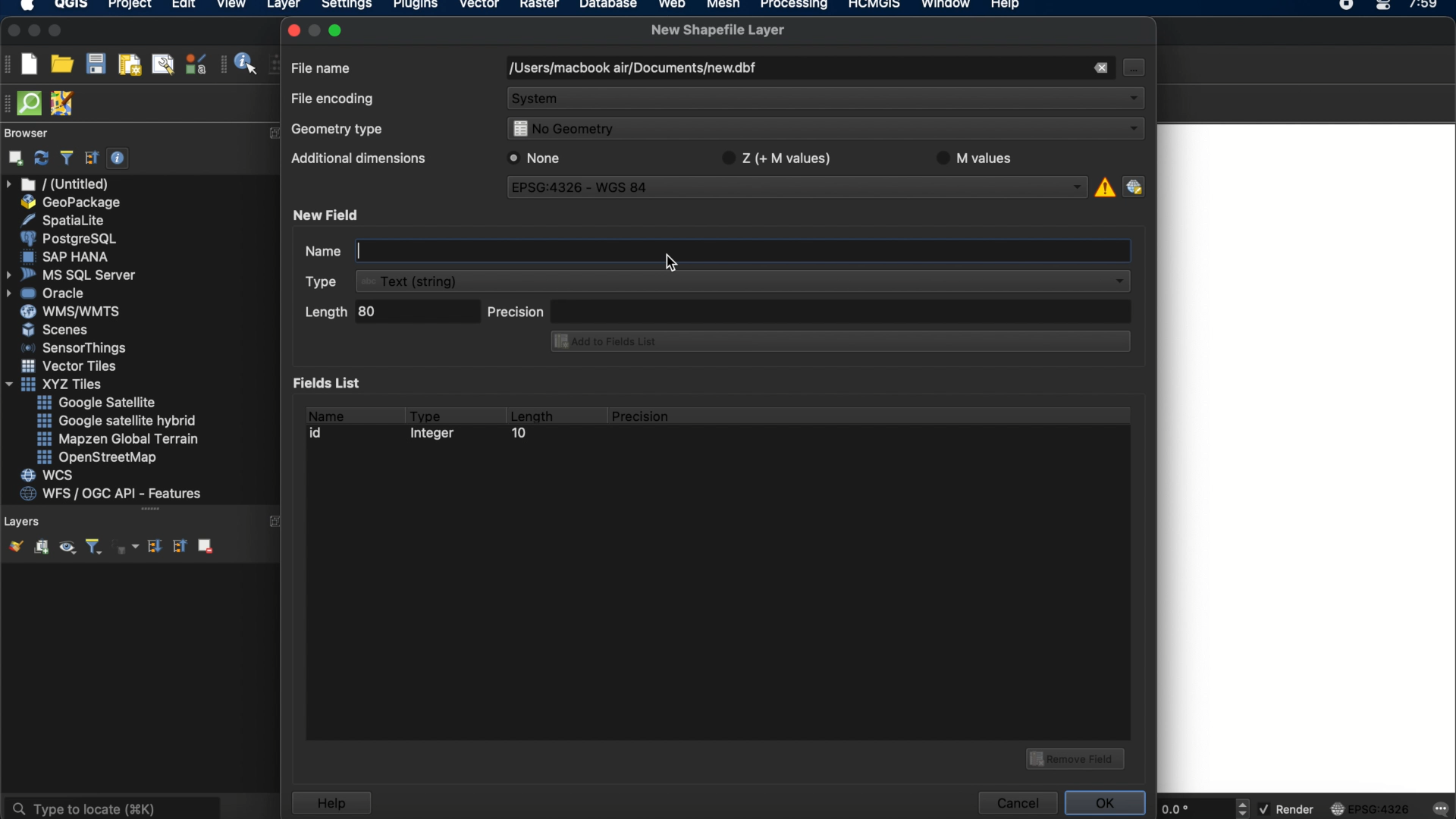 This screenshot has height=819, width=1456. Describe the element at coordinates (49, 476) in the screenshot. I see `wcs` at that location.